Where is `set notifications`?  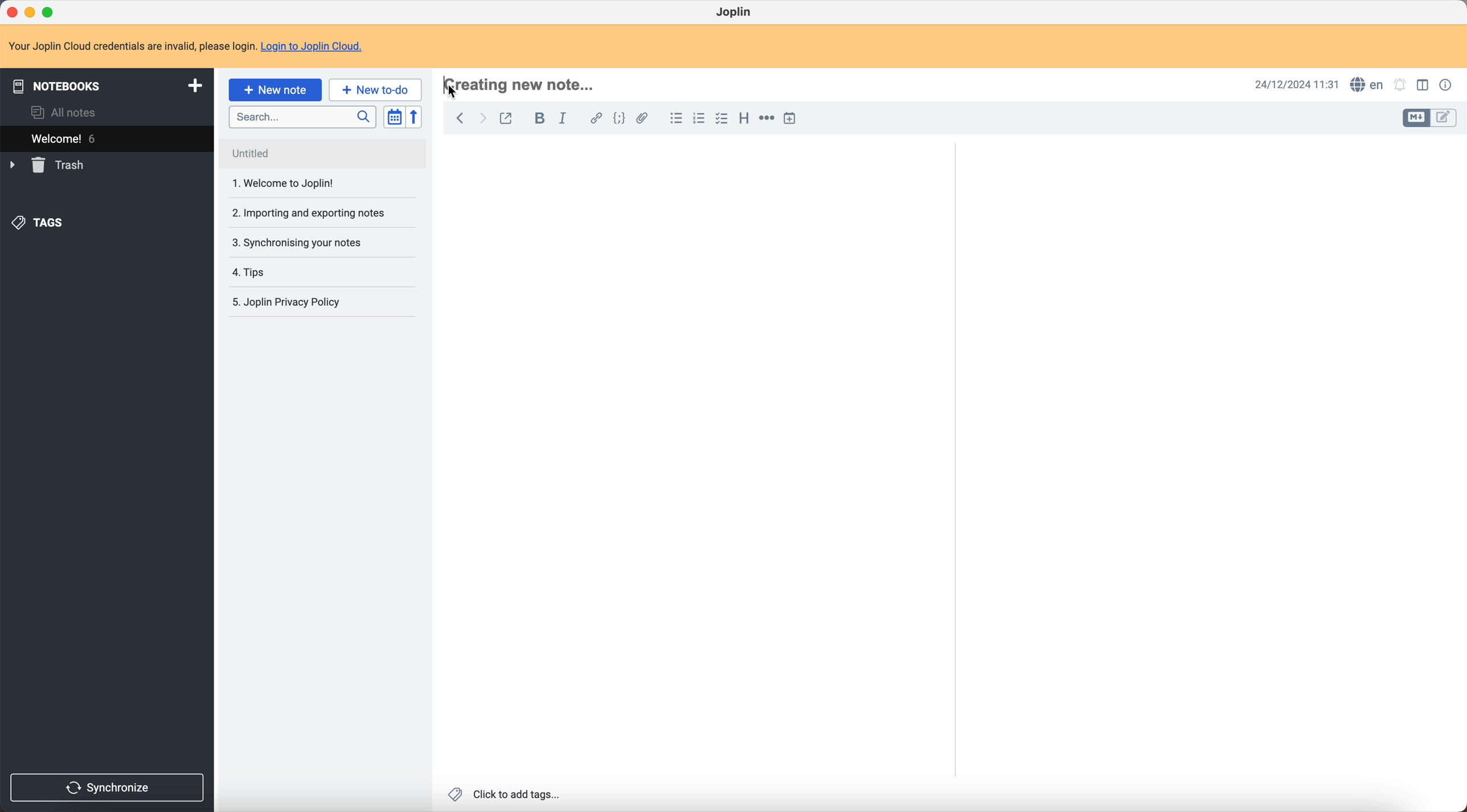
set notifications is located at coordinates (1400, 85).